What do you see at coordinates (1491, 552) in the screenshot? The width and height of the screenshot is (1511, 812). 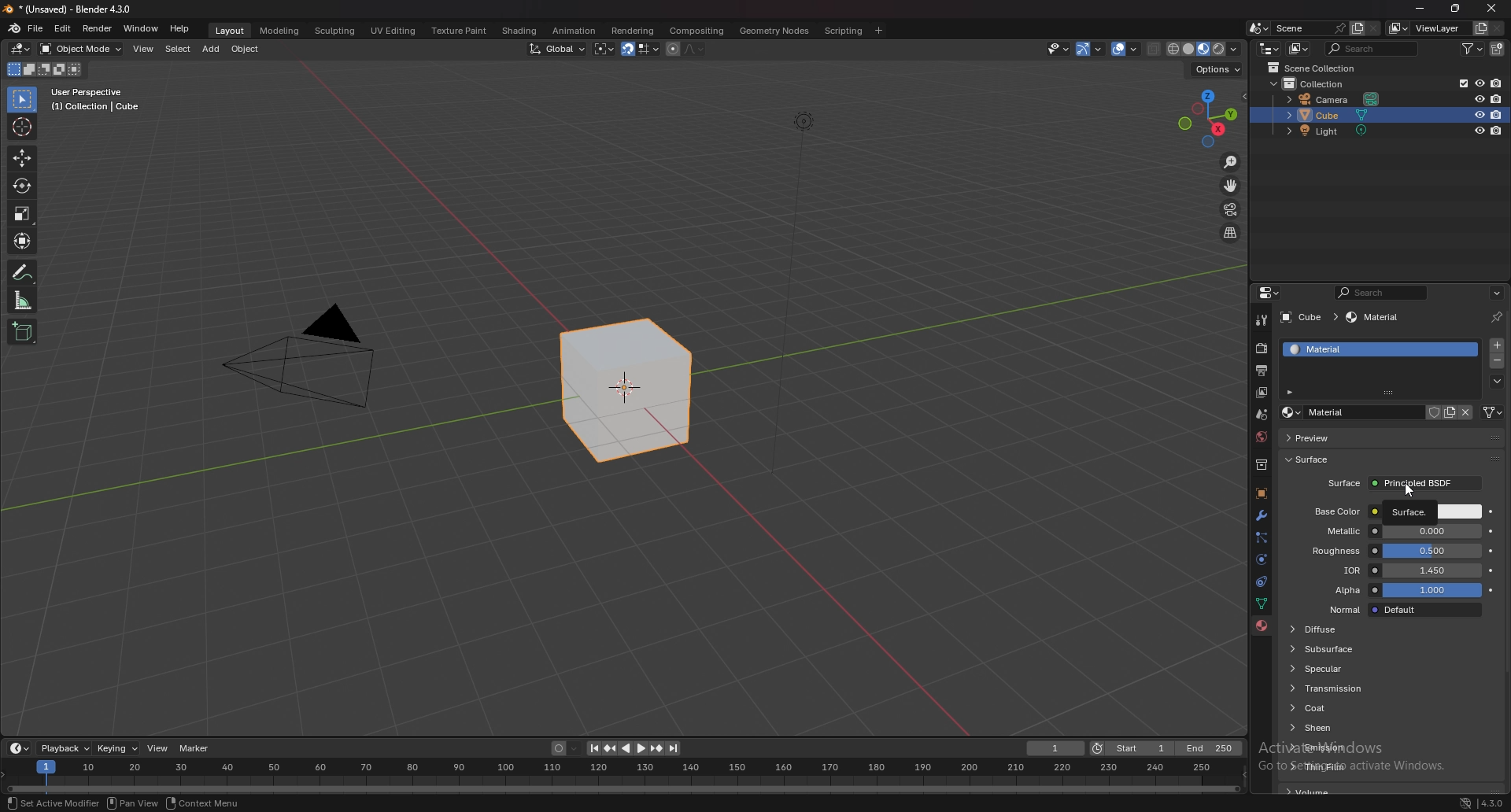 I see `animate property` at bounding box center [1491, 552].